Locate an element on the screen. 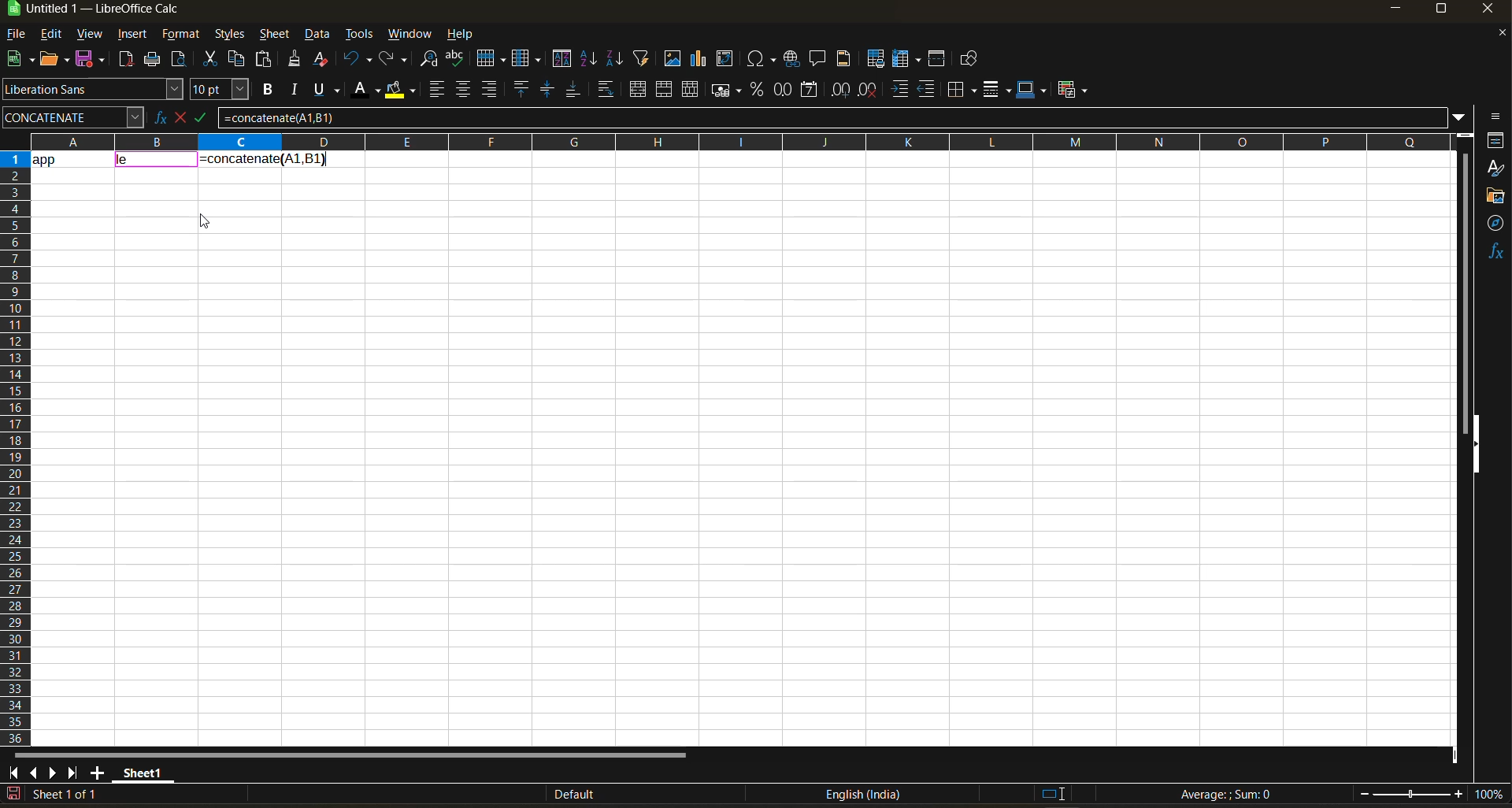 This screenshot has height=808, width=1512. text language is located at coordinates (862, 794).